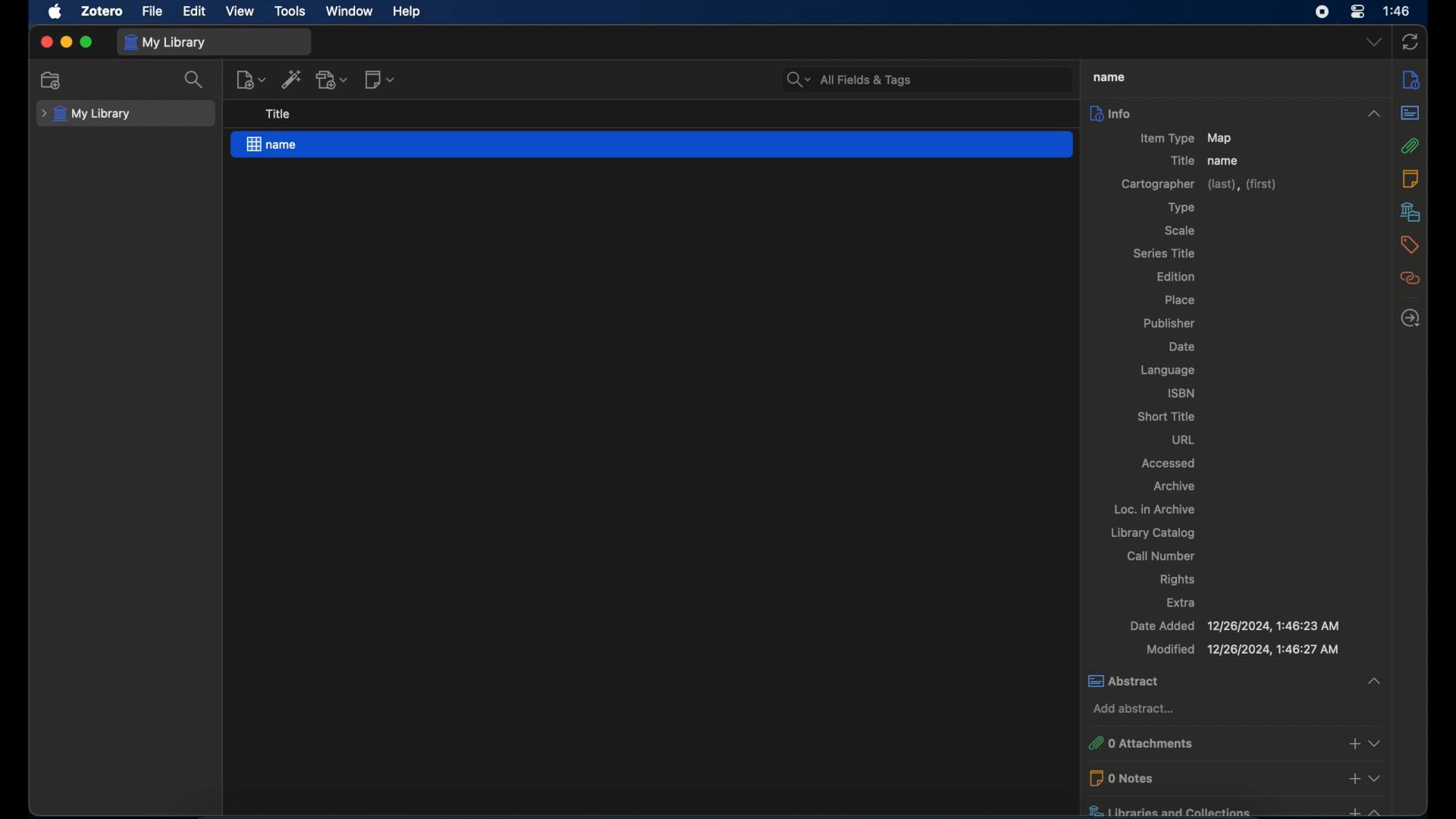 The height and width of the screenshot is (819, 1456). I want to click on All Fields & Tags, so click(925, 79).